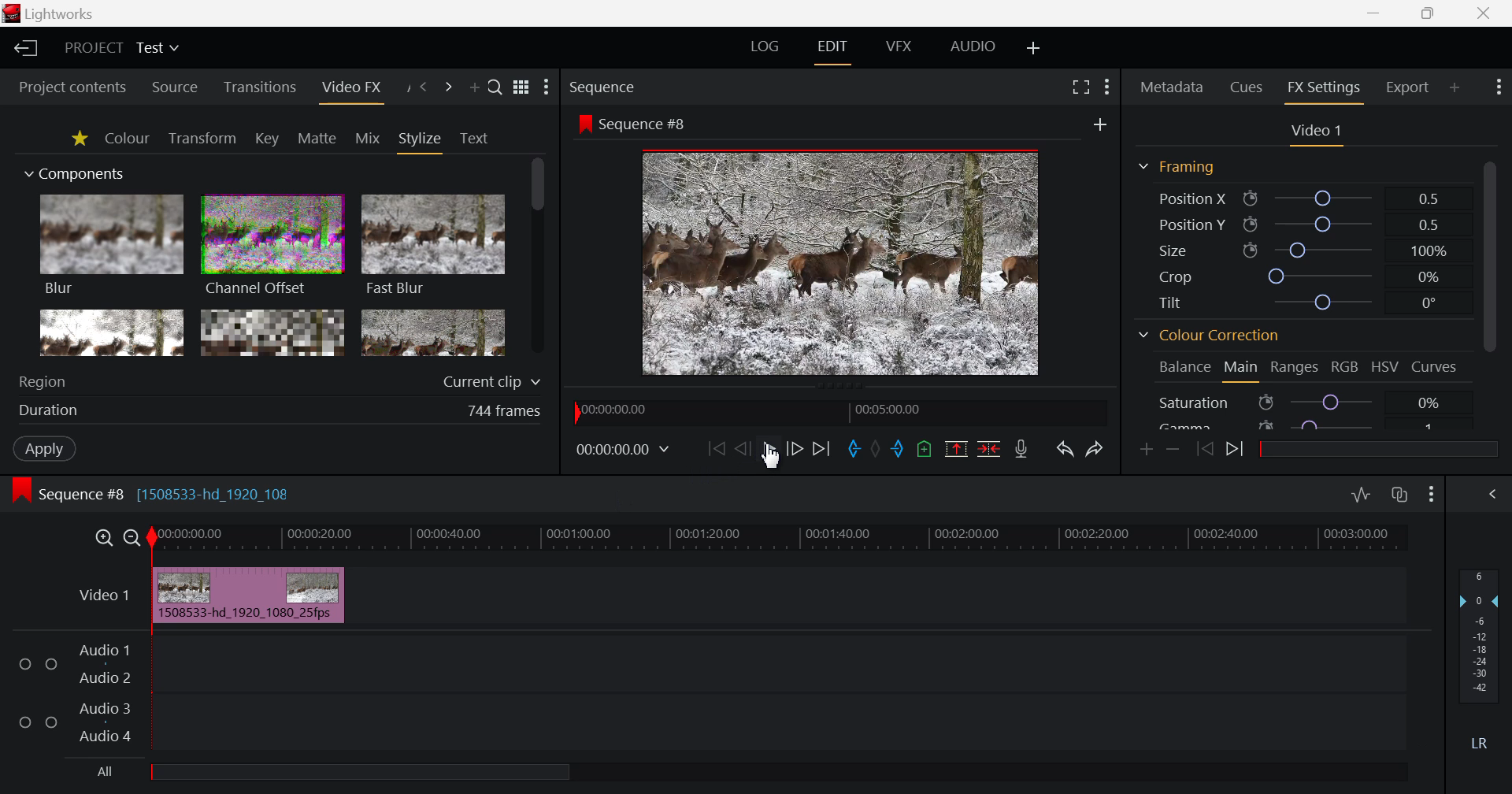  What do you see at coordinates (179, 492) in the screenshot?
I see `Sequence #8 [1508533-hd_1920_108` at bounding box center [179, 492].